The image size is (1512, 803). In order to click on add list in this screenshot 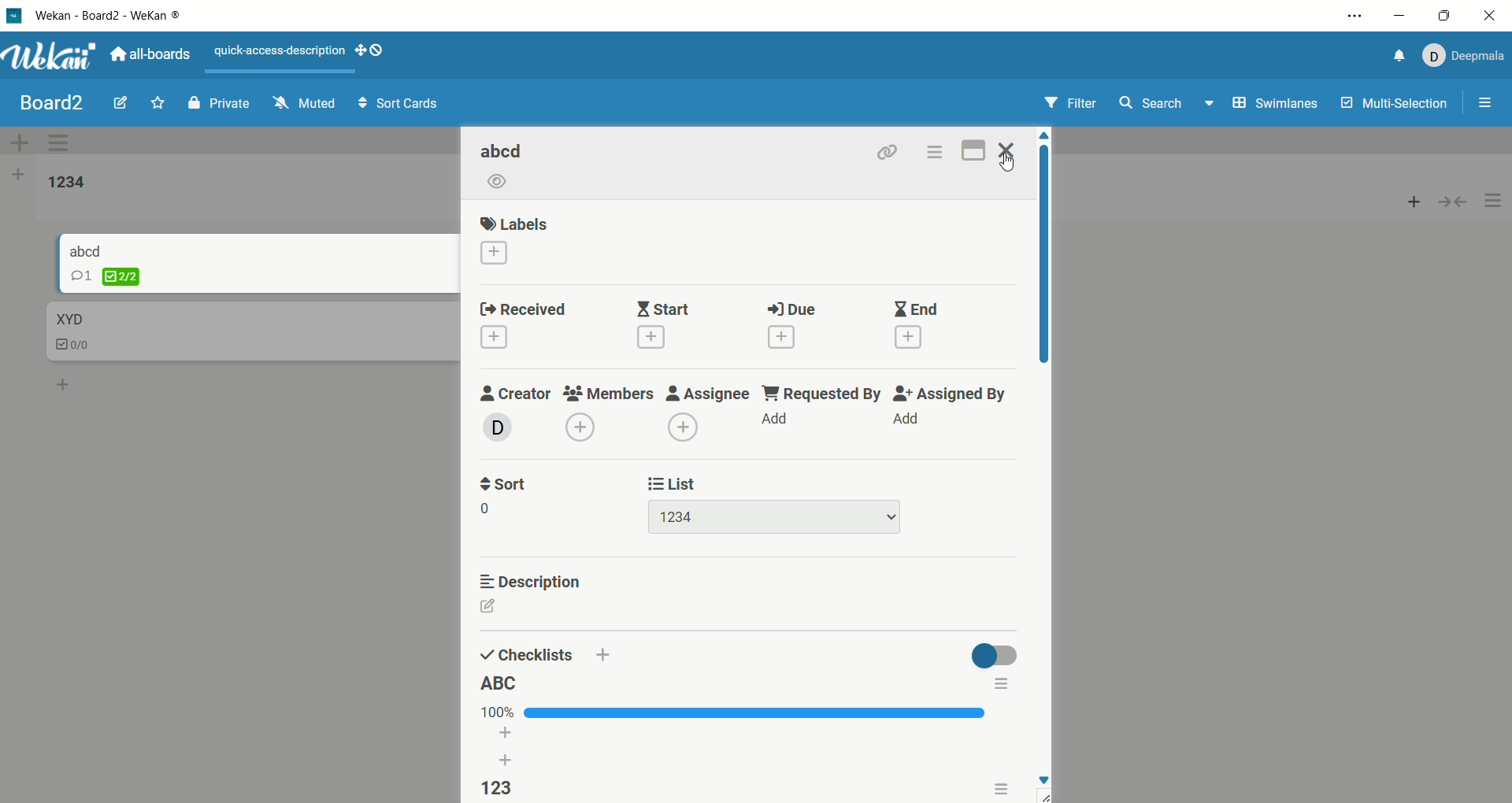, I will do `click(16, 178)`.